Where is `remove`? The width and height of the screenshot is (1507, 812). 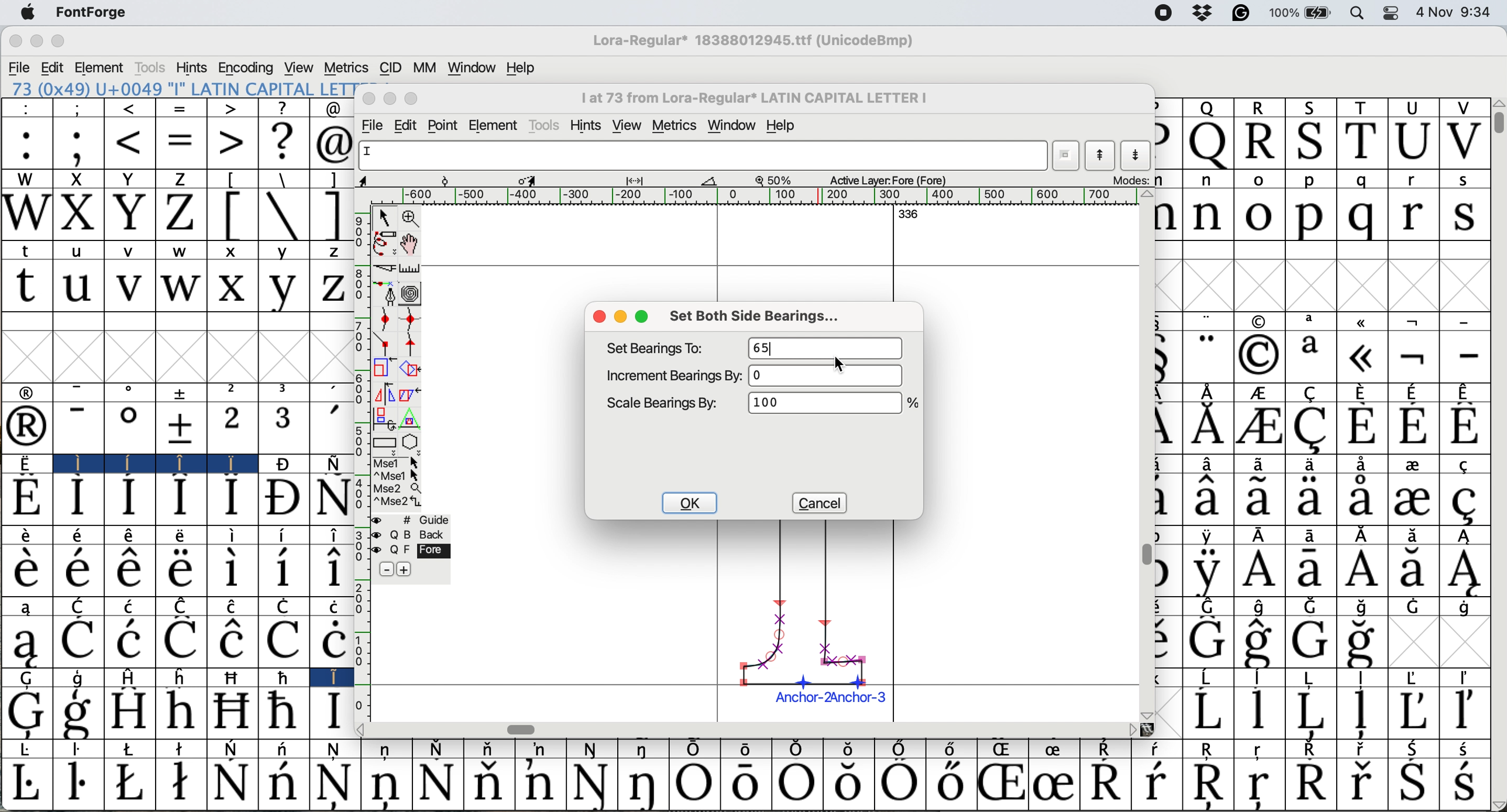 remove is located at coordinates (386, 570).